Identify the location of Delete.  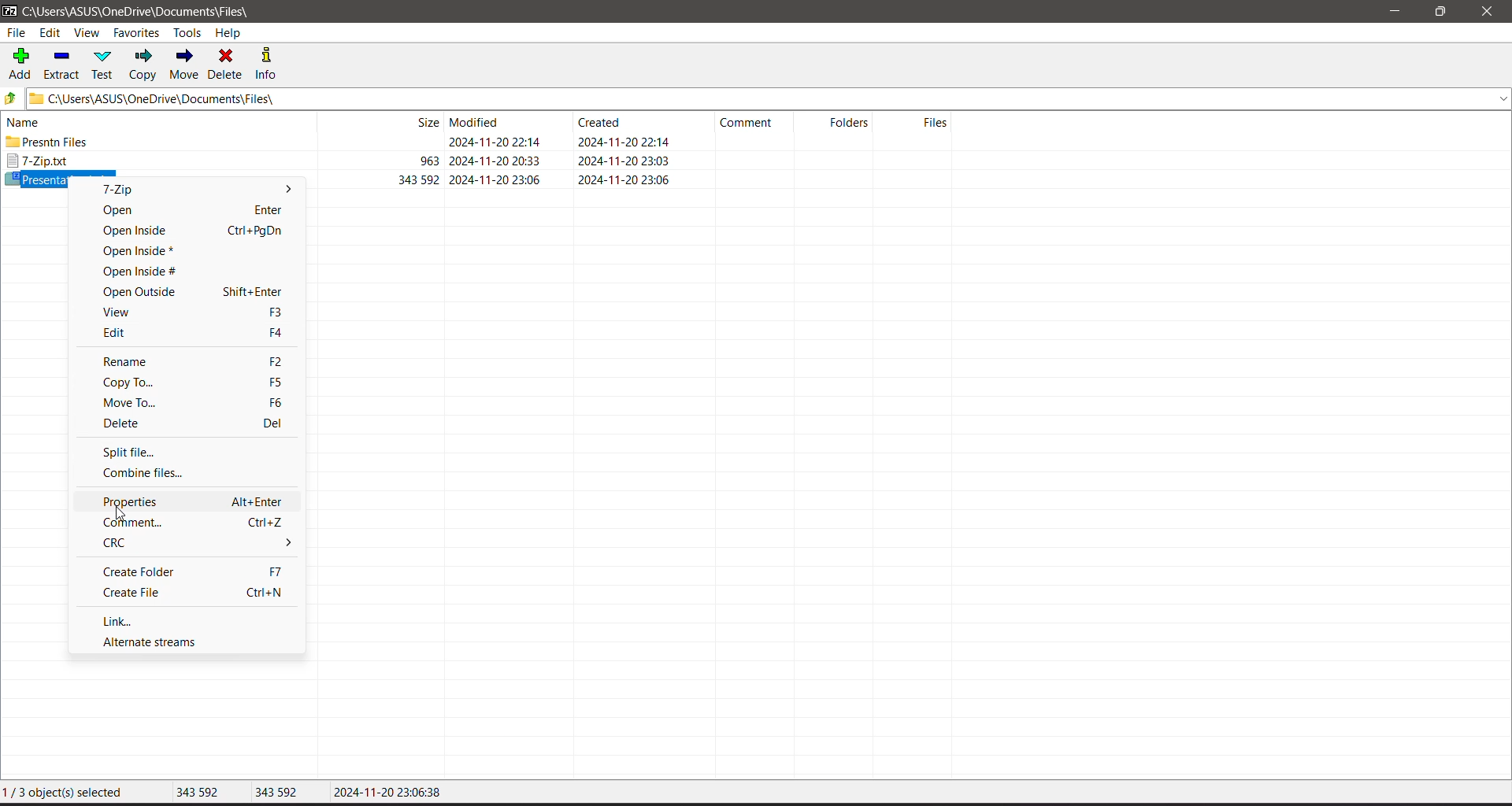
(191, 425).